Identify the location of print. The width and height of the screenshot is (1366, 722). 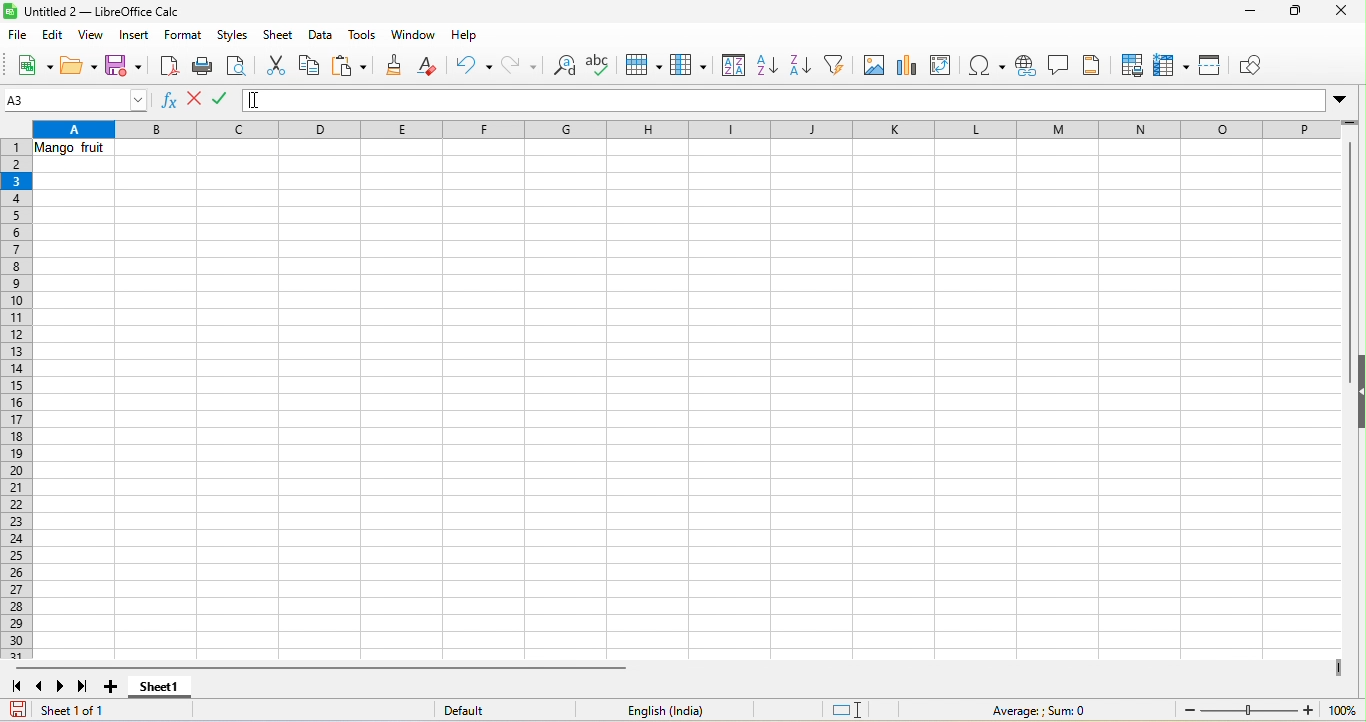
(202, 66).